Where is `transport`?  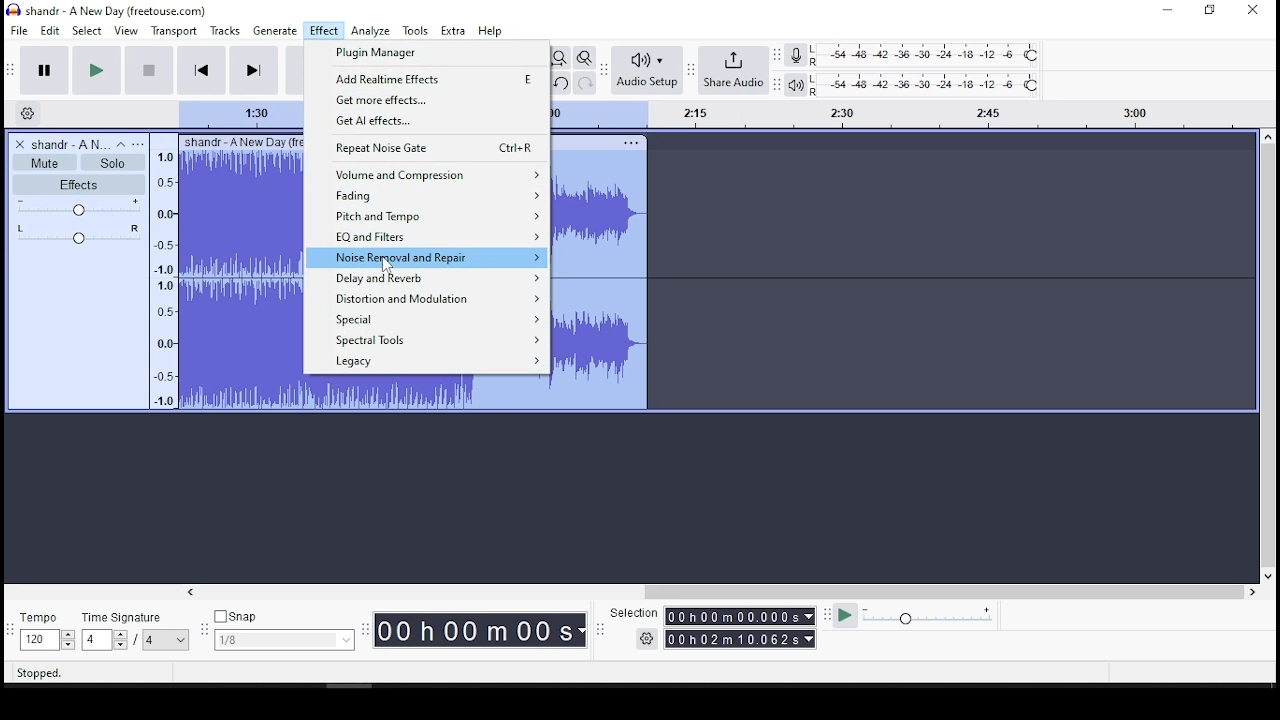
transport is located at coordinates (174, 30).